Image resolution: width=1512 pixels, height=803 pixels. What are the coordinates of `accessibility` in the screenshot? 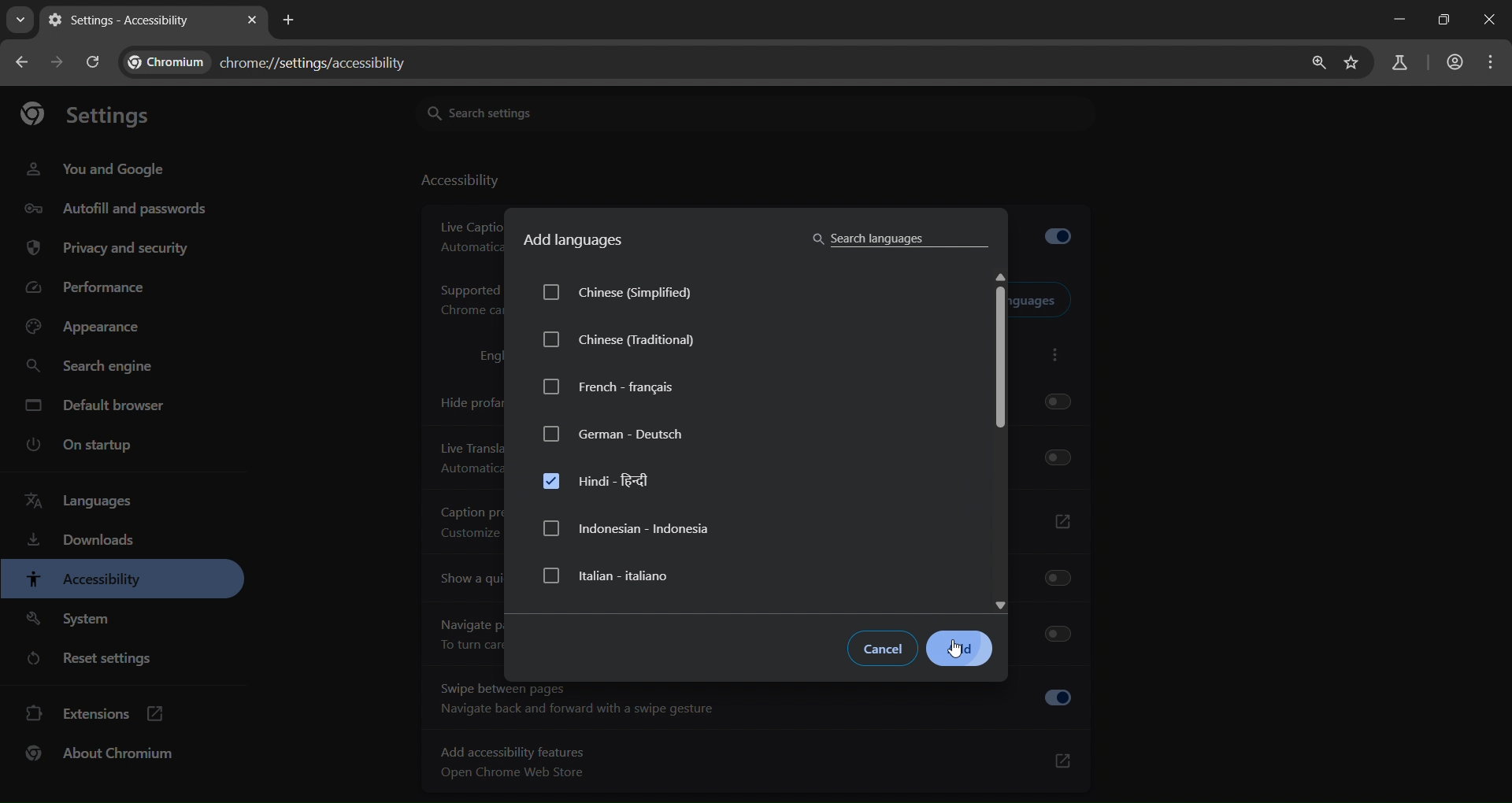 It's located at (83, 580).